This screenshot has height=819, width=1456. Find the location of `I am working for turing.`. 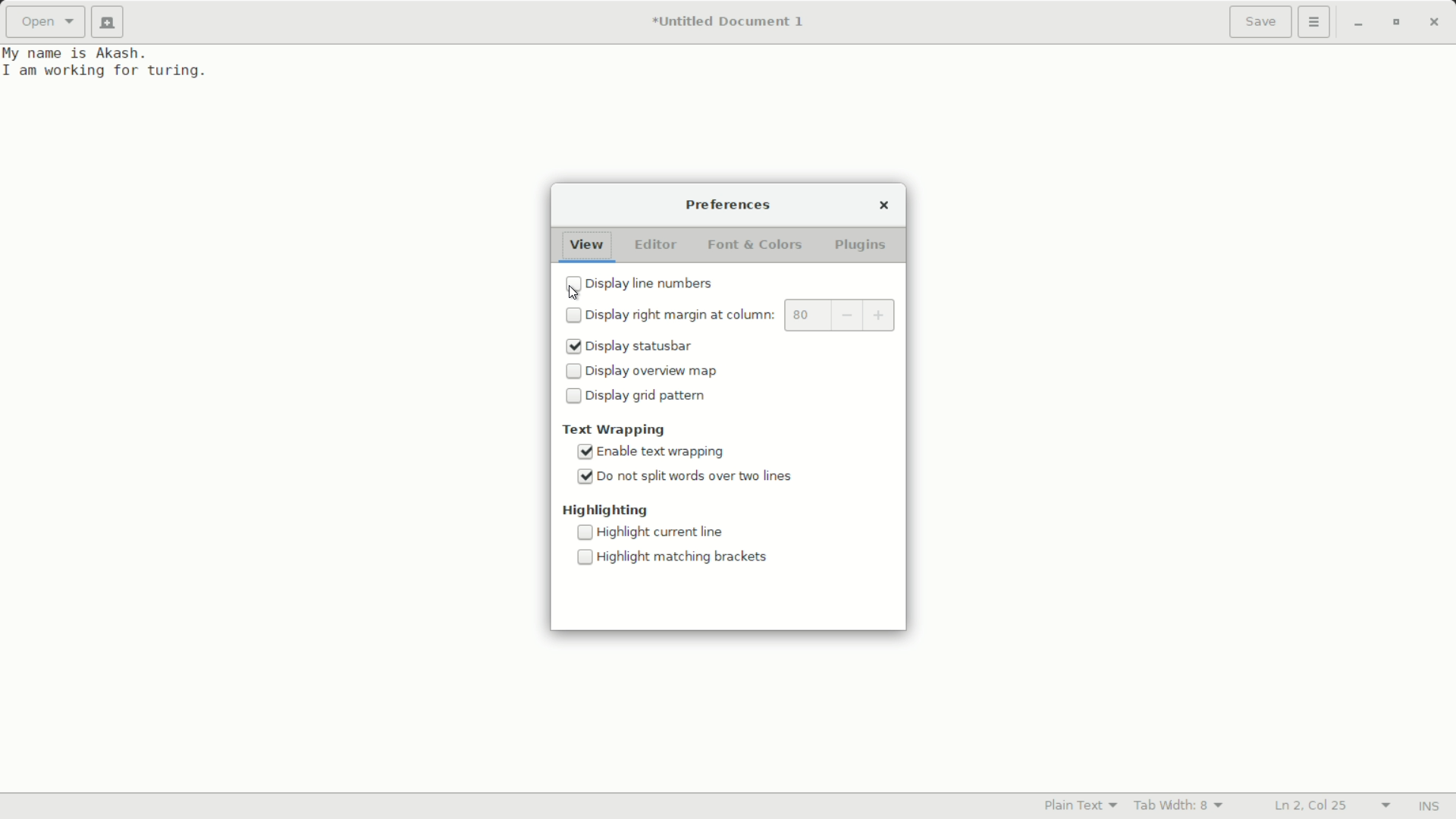

I am working for turing. is located at coordinates (108, 71).